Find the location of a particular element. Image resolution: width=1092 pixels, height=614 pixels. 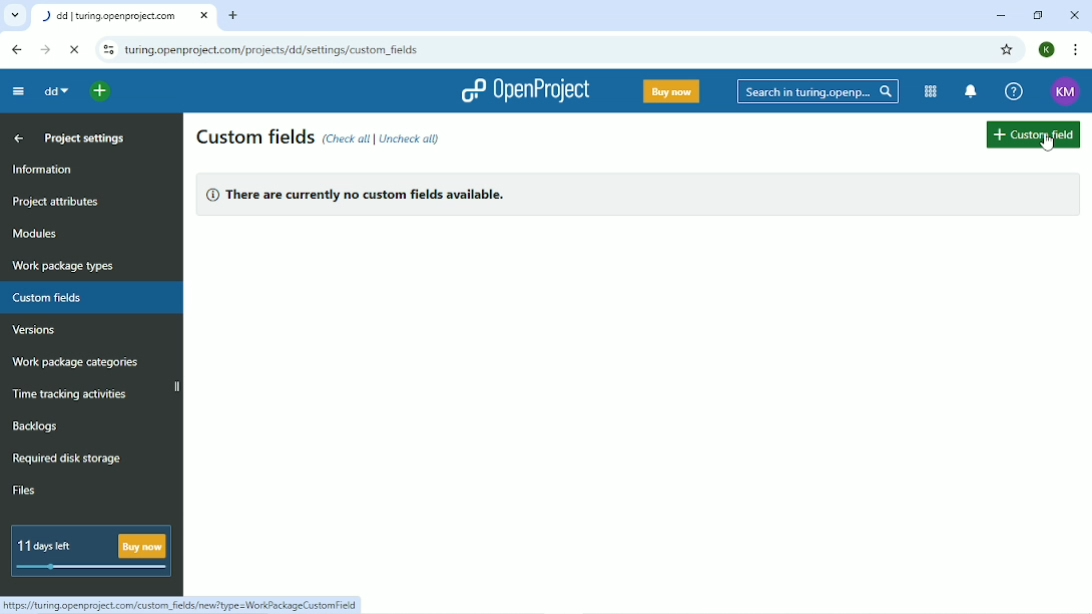

Back is located at coordinates (18, 49).